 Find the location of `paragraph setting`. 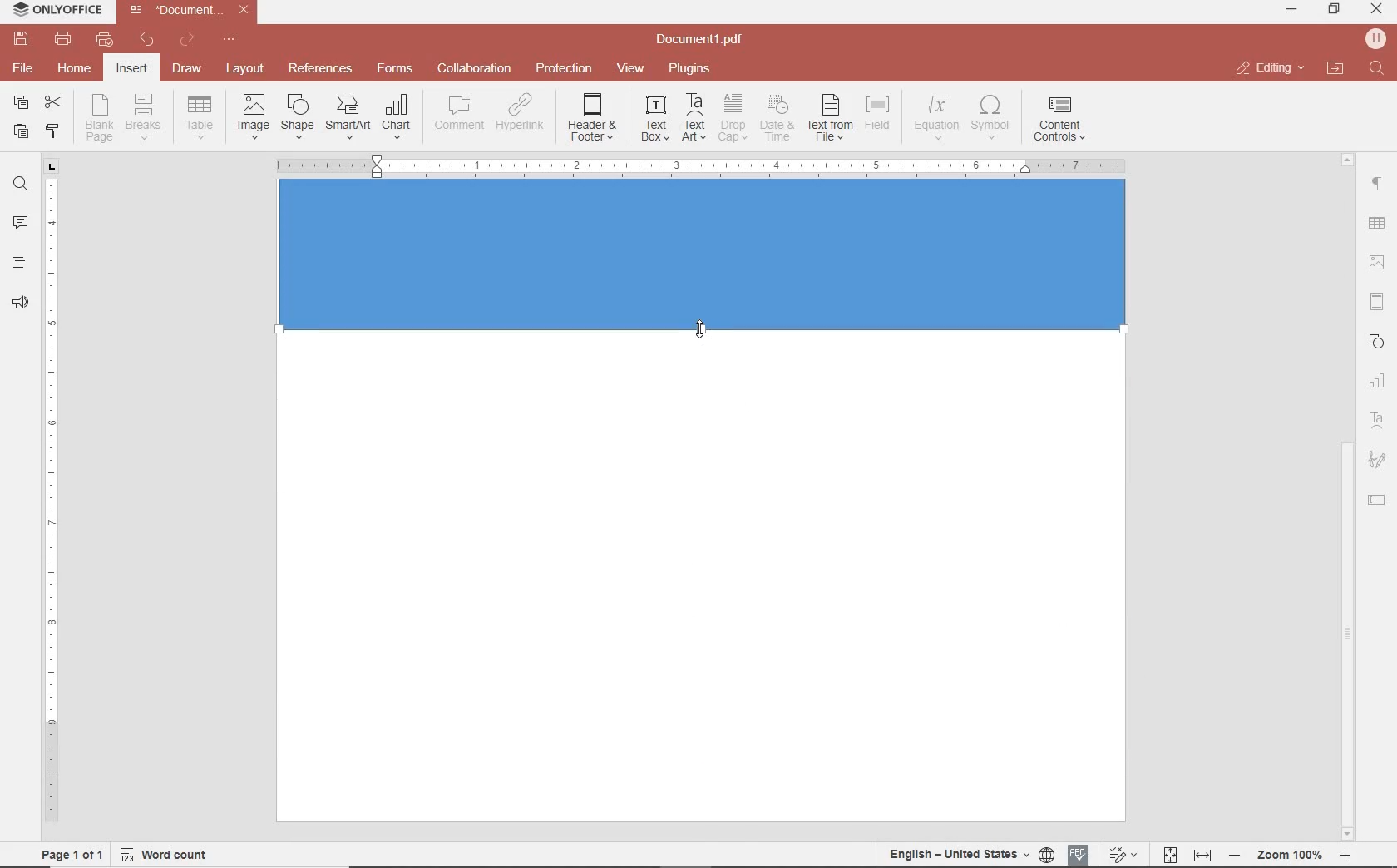

paragraph setting is located at coordinates (1378, 181).